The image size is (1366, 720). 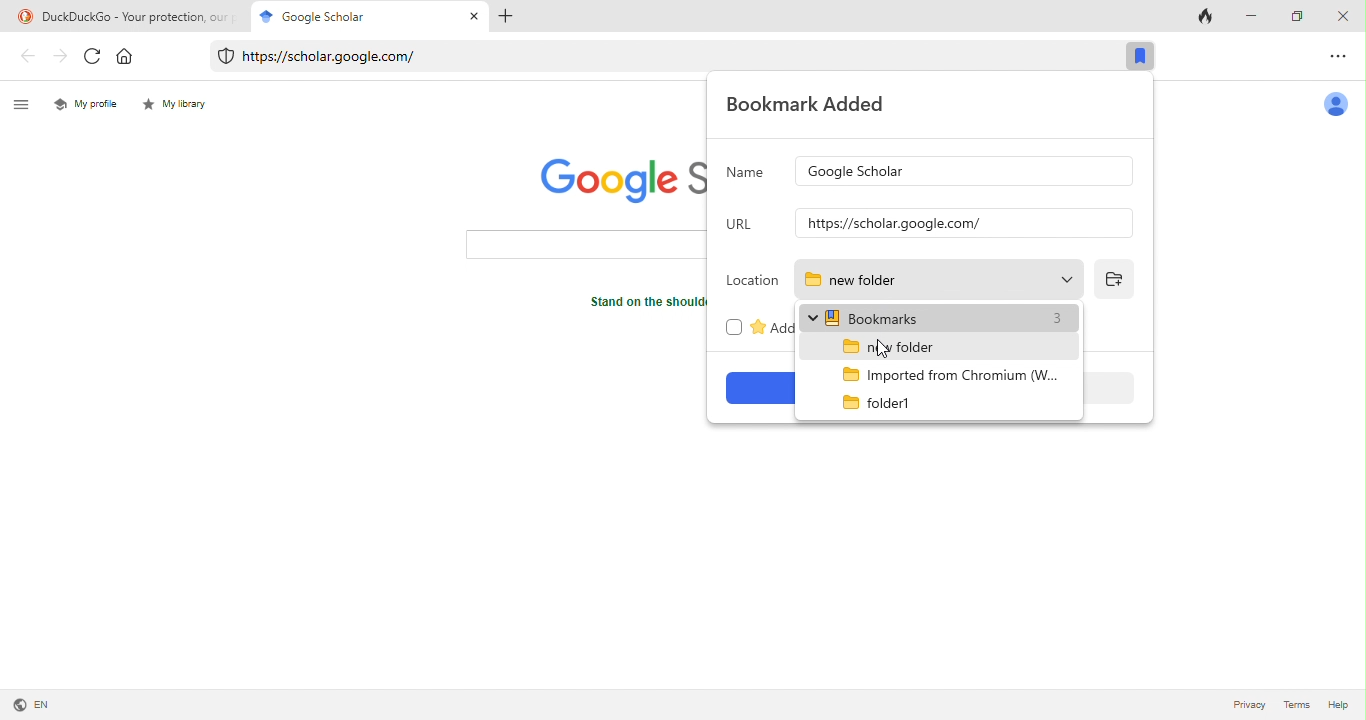 What do you see at coordinates (1115, 281) in the screenshot?
I see `add folder` at bounding box center [1115, 281].